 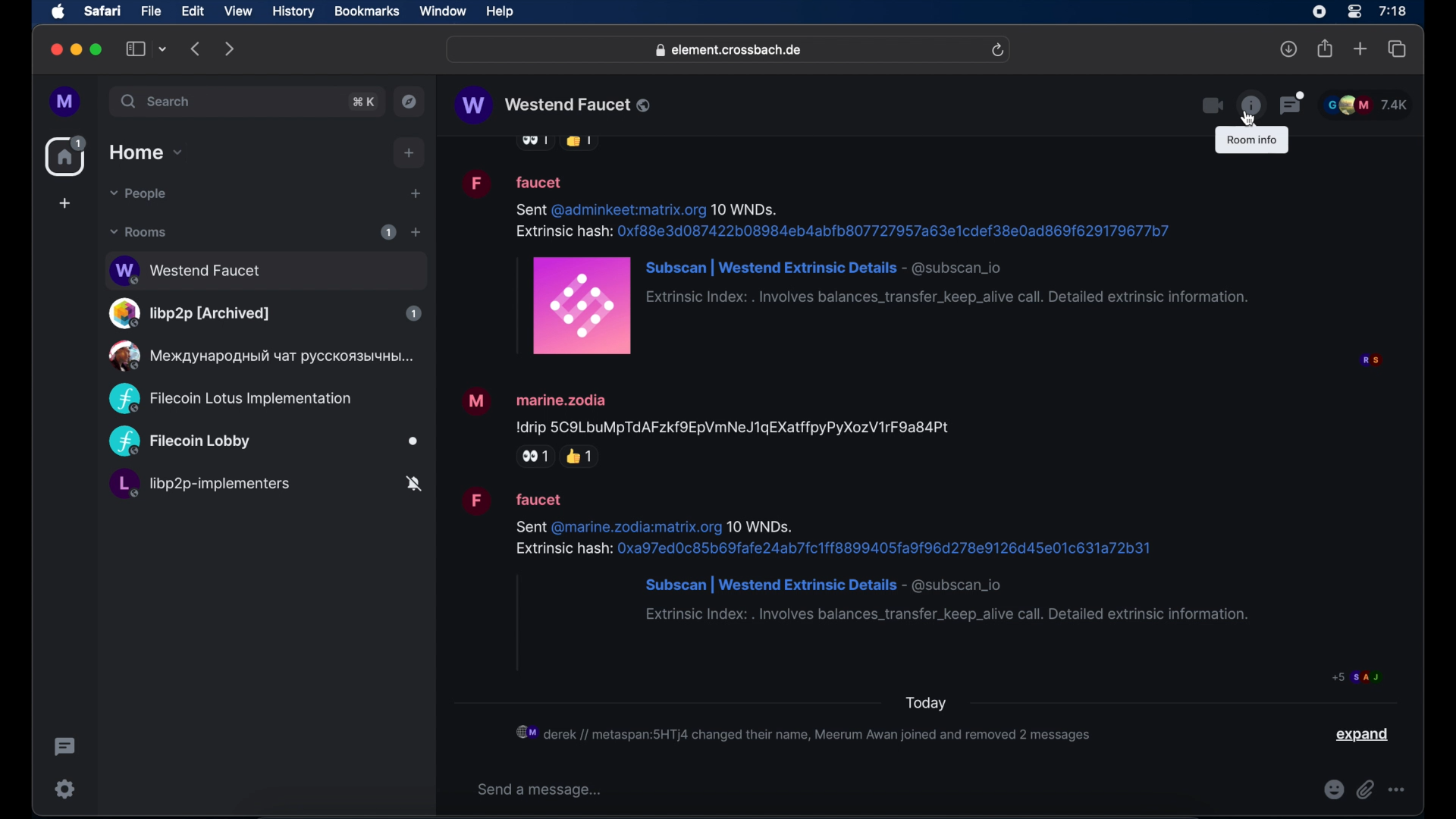 What do you see at coordinates (293, 12) in the screenshot?
I see `history` at bounding box center [293, 12].